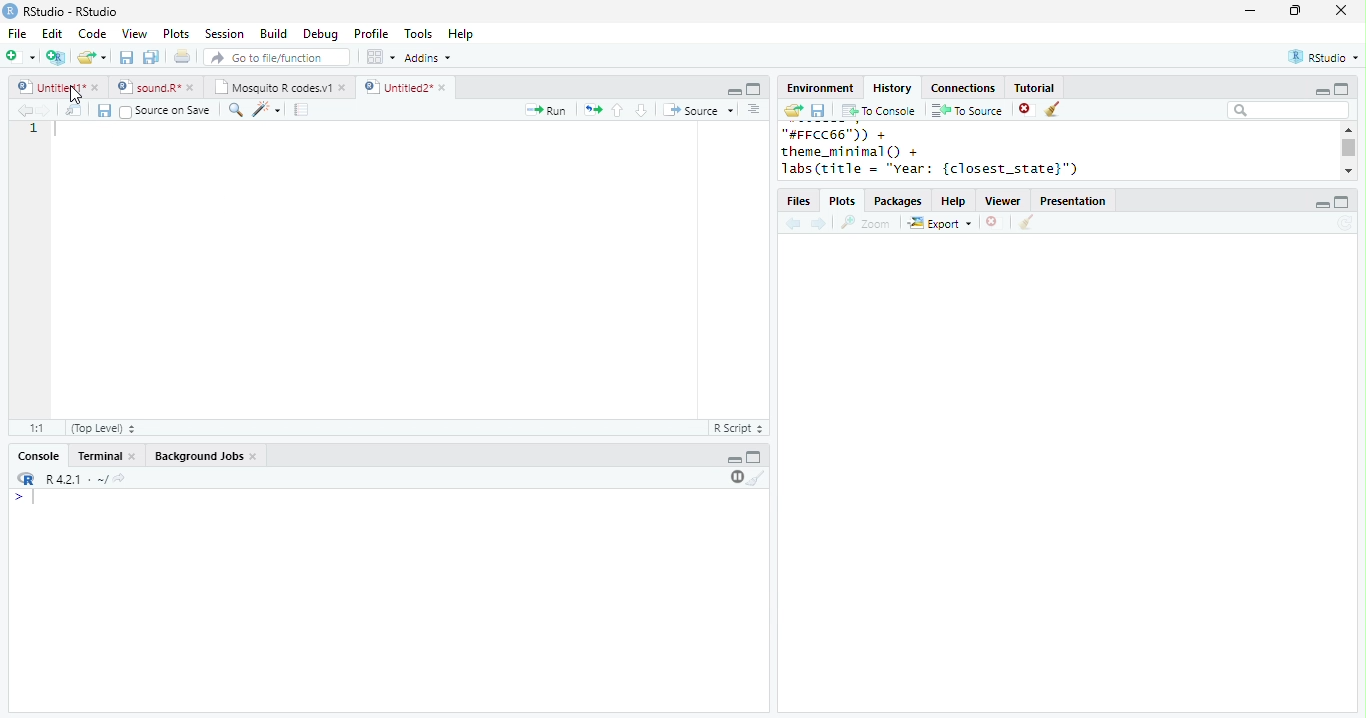 The width and height of the screenshot is (1366, 718). Describe the element at coordinates (995, 223) in the screenshot. I see `close file` at that location.